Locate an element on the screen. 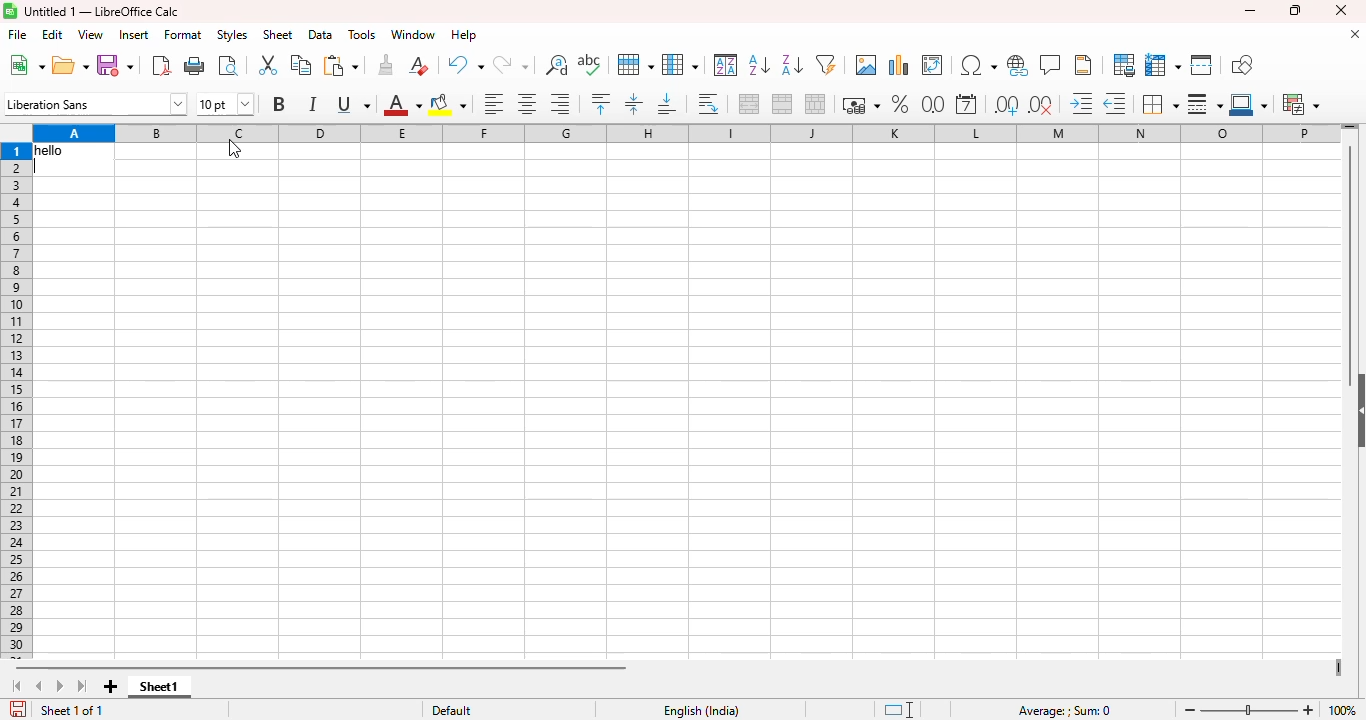 The image size is (1366, 720). cut is located at coordinates (267, 65).